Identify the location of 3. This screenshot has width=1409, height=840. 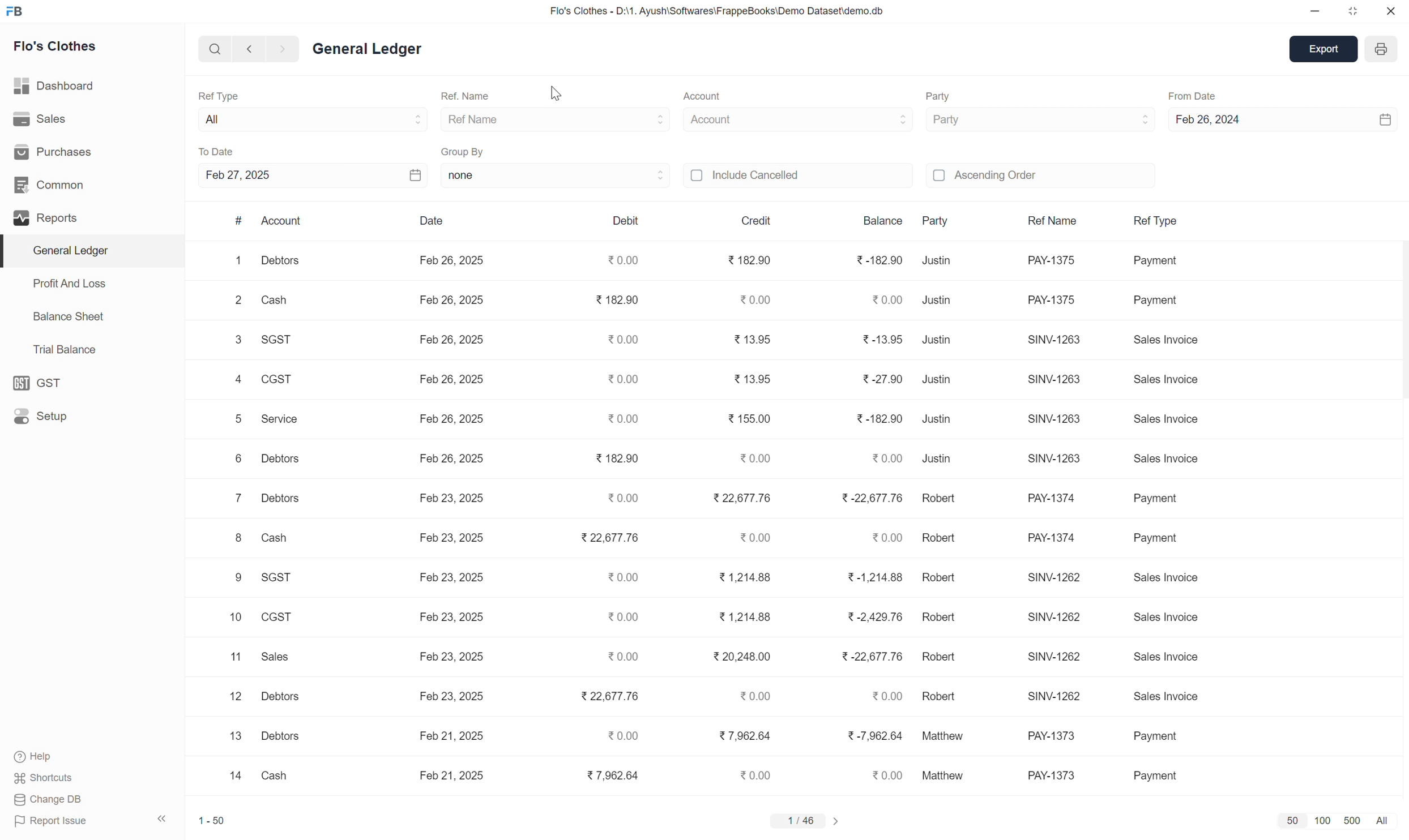
(238, 338).